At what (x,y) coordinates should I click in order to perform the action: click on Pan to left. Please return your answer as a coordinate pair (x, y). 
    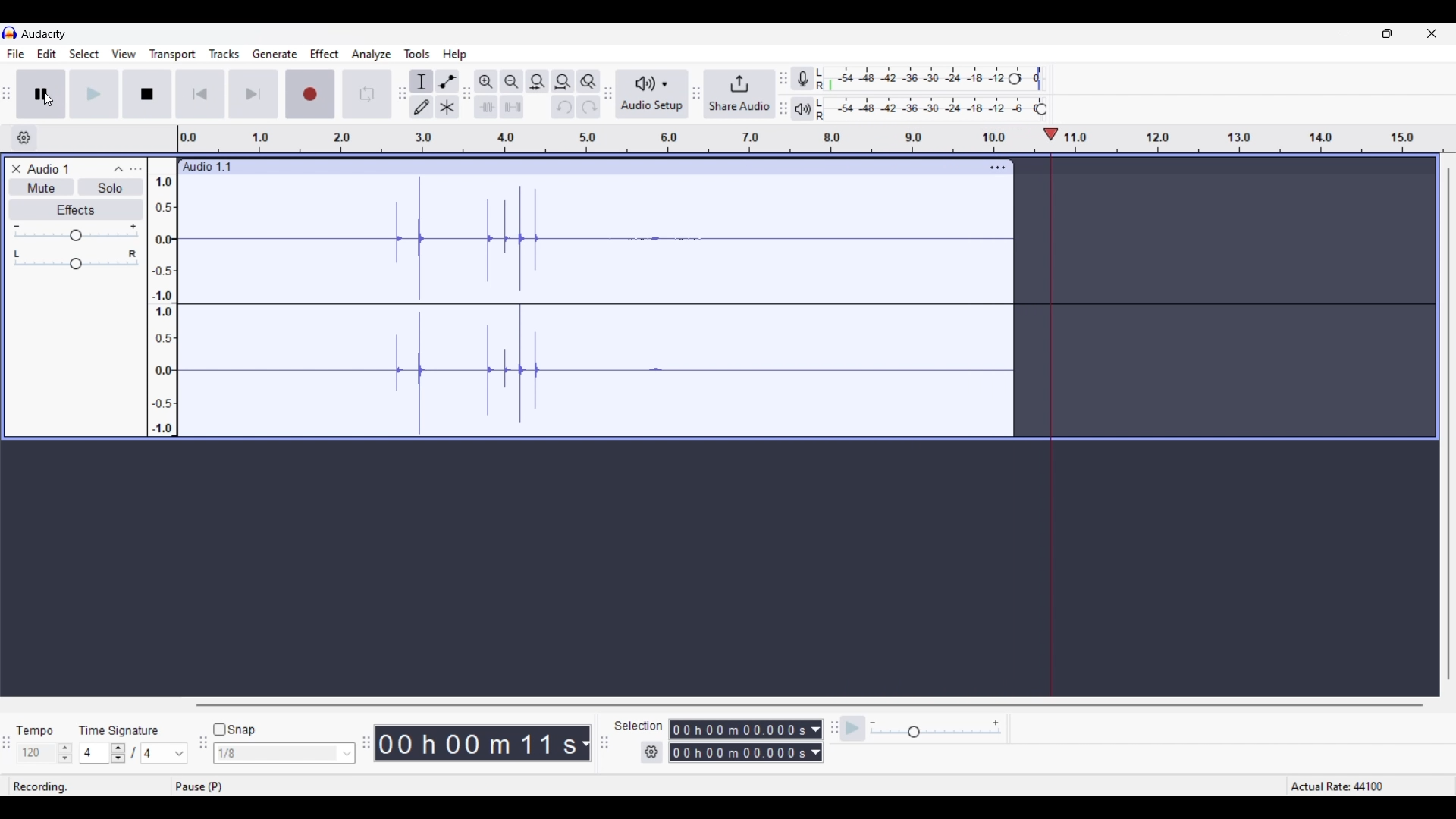
    Looking at the image, I should click on (16, 253).